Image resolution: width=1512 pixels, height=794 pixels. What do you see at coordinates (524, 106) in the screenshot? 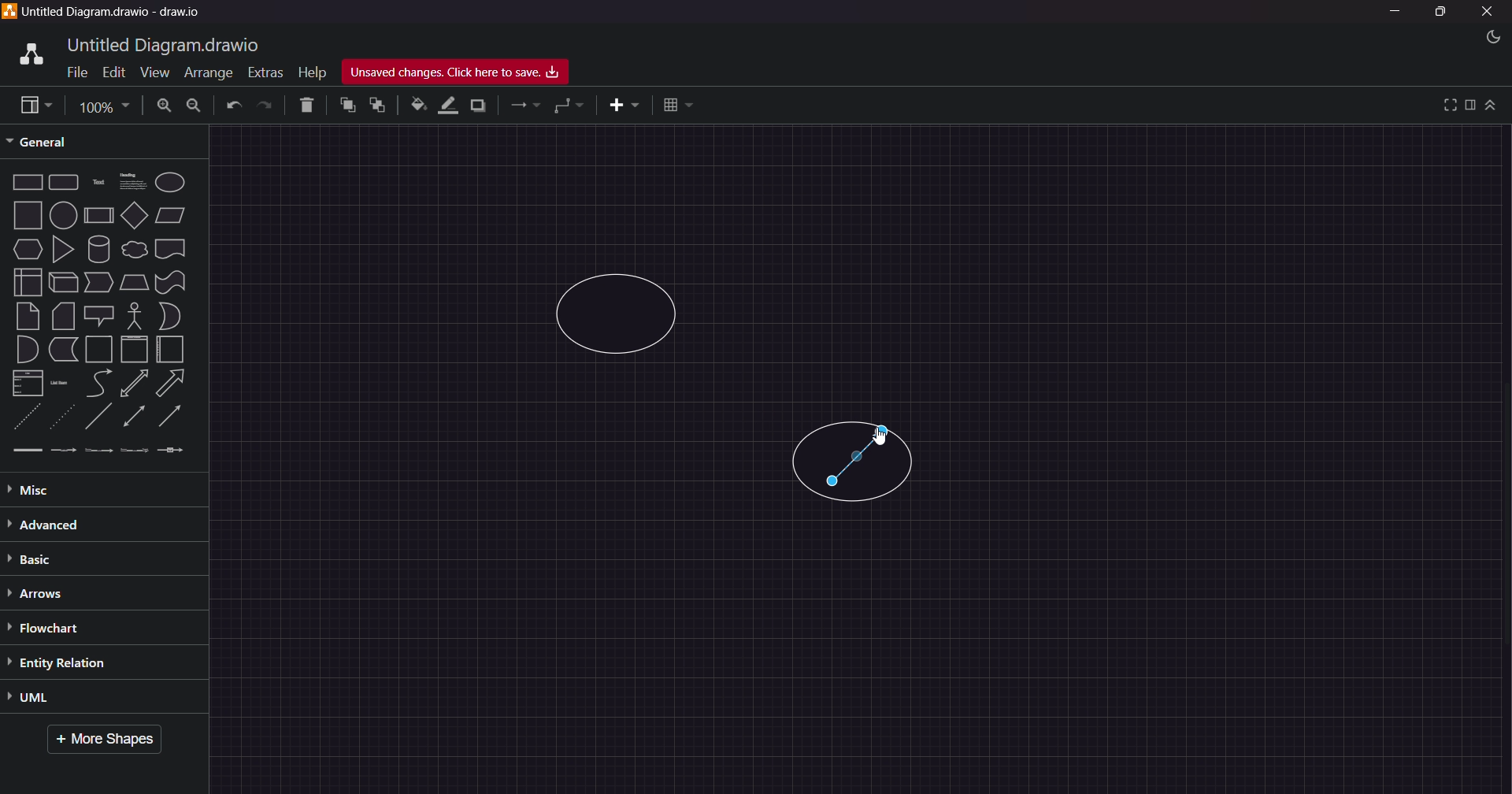
I see `connections` at bounding box center [524, 106].